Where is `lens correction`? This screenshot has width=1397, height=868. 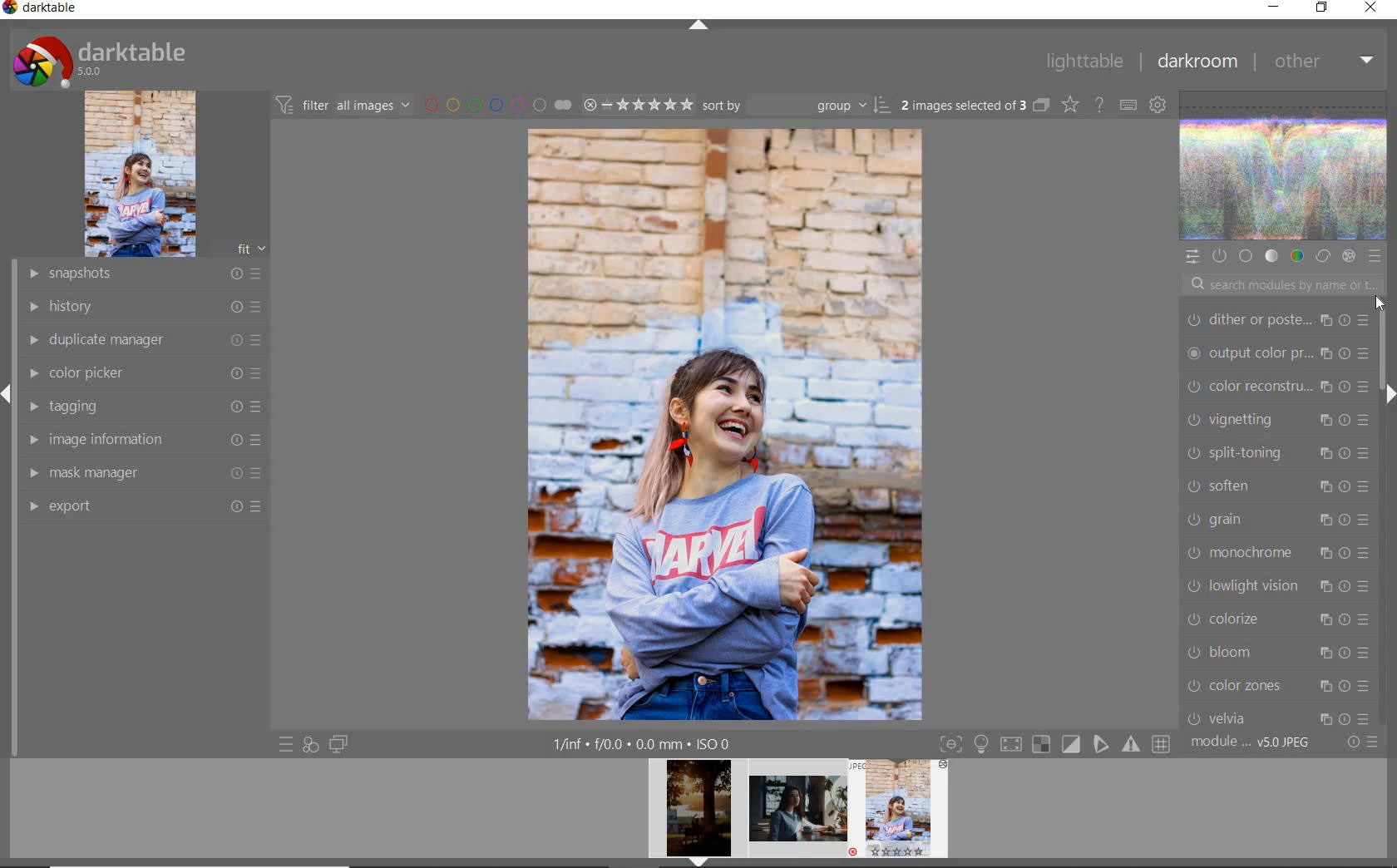 lens correction is located at coordinates (1275, 713).